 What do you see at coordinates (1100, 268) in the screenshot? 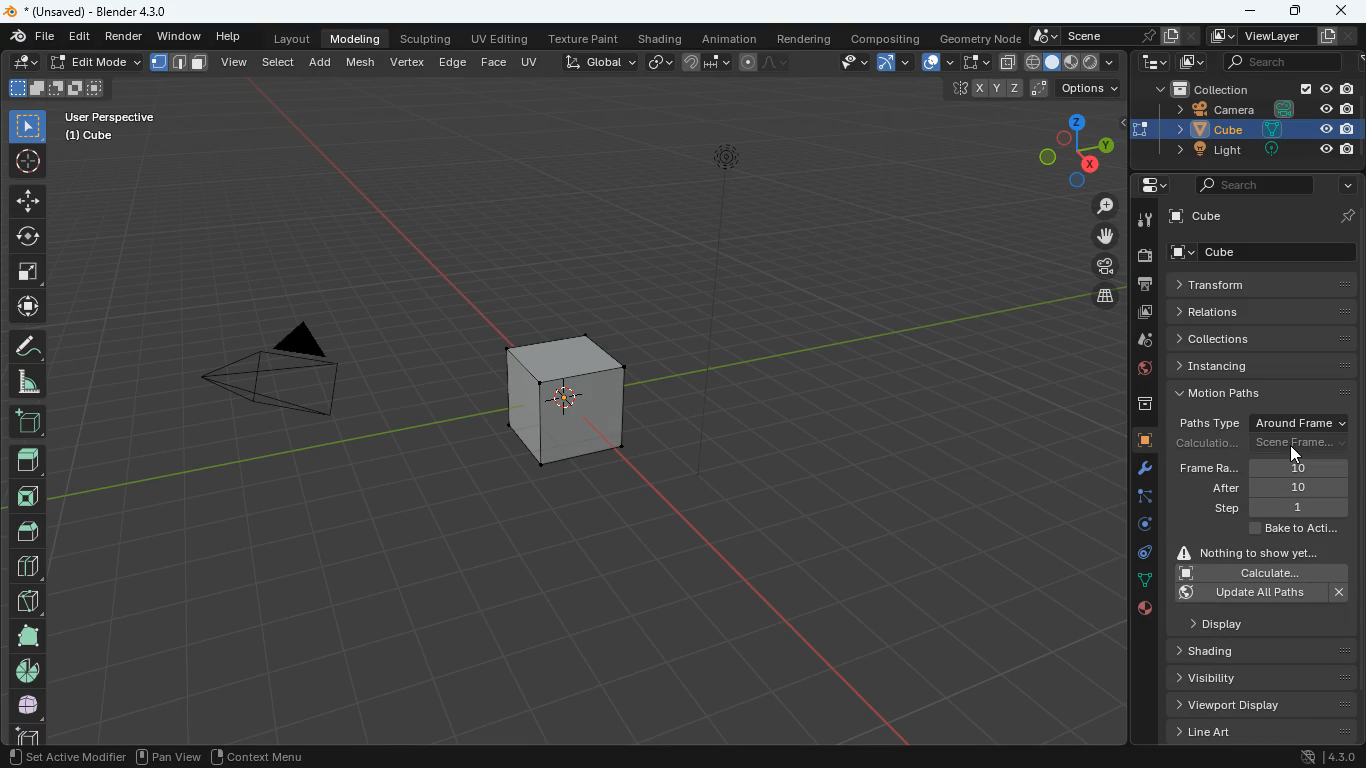
I see `film` at bounding box center [1100, 268].